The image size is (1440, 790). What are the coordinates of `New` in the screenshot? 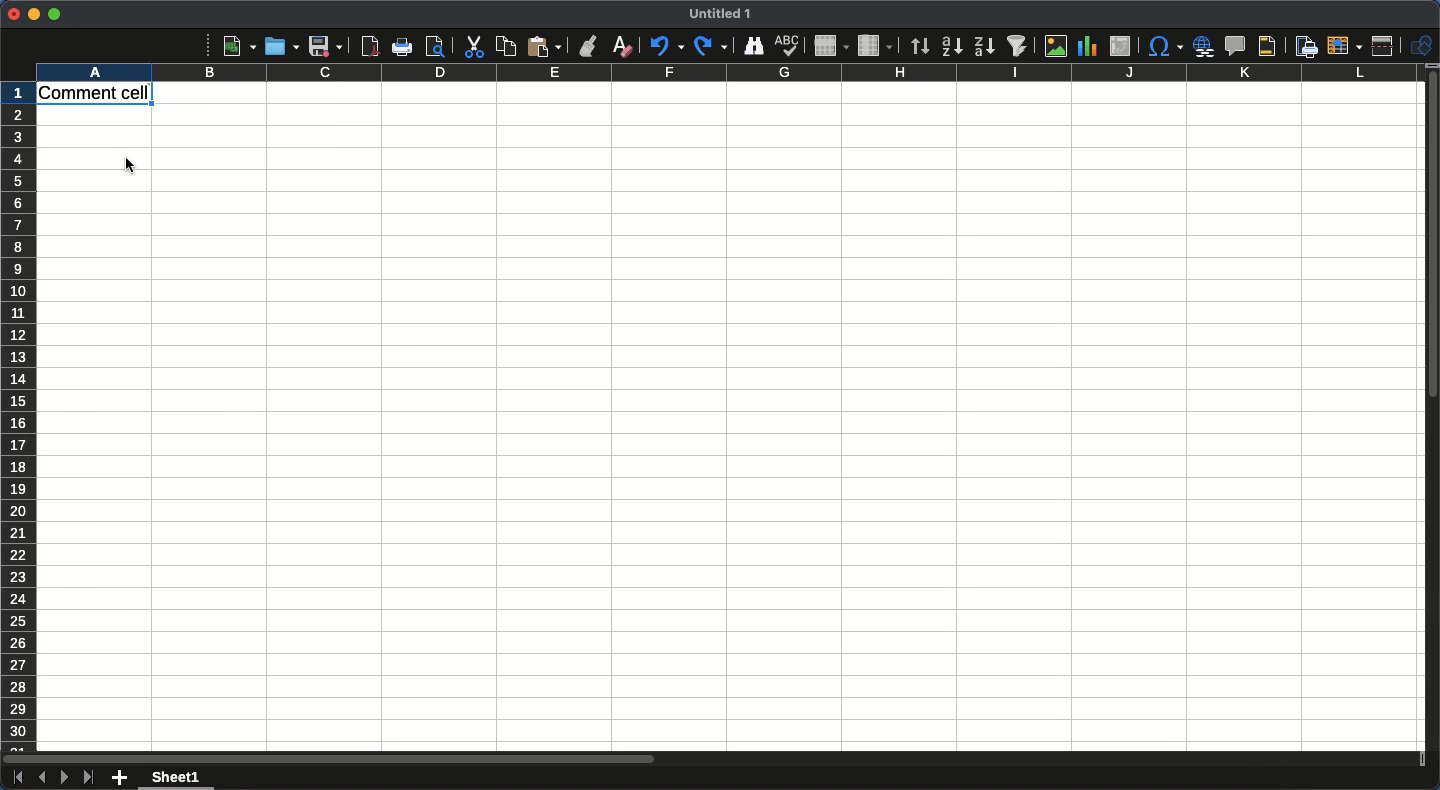 It's located at (236, 46).